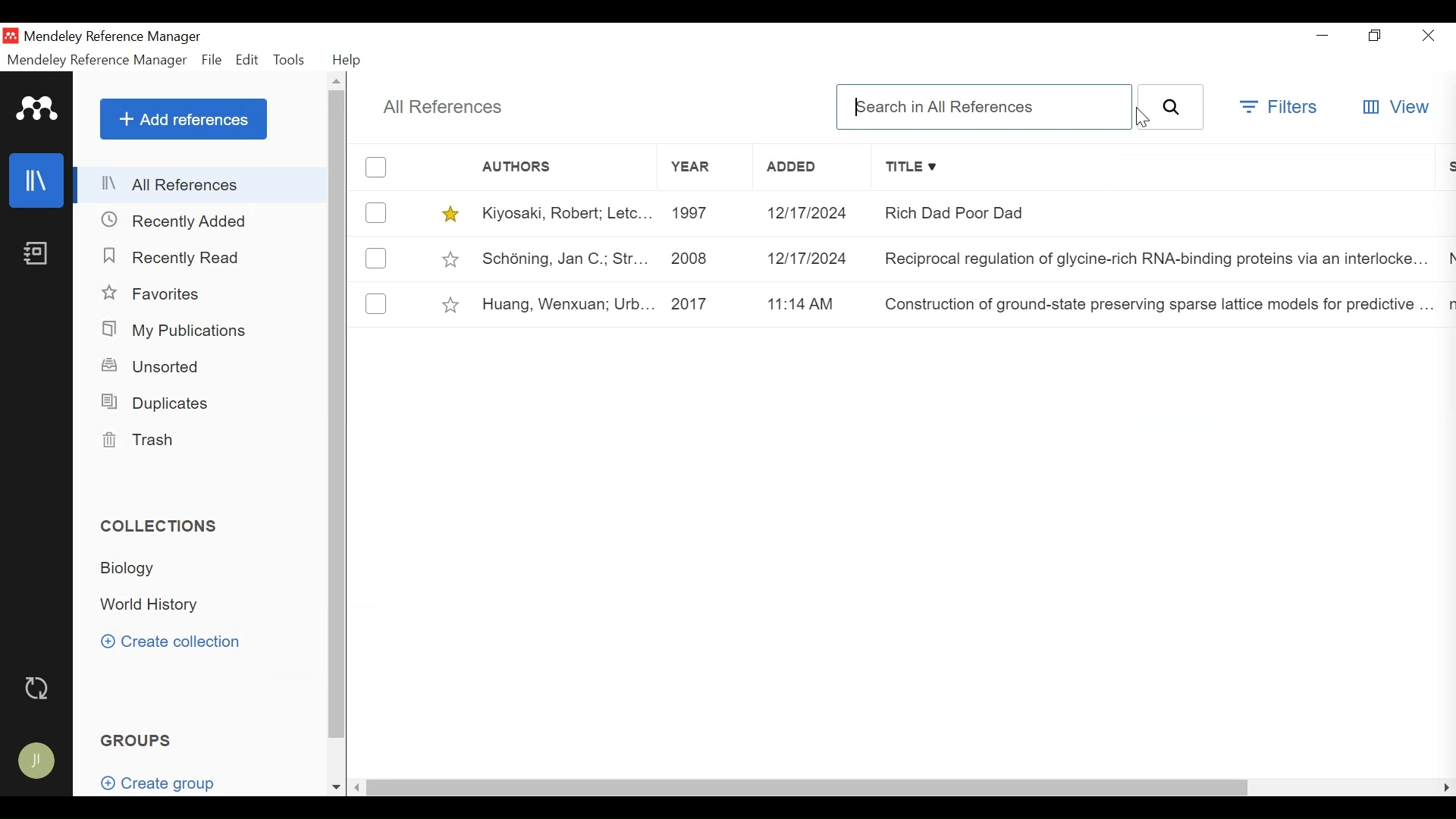  I want to click on Edit, so click(248, 59).